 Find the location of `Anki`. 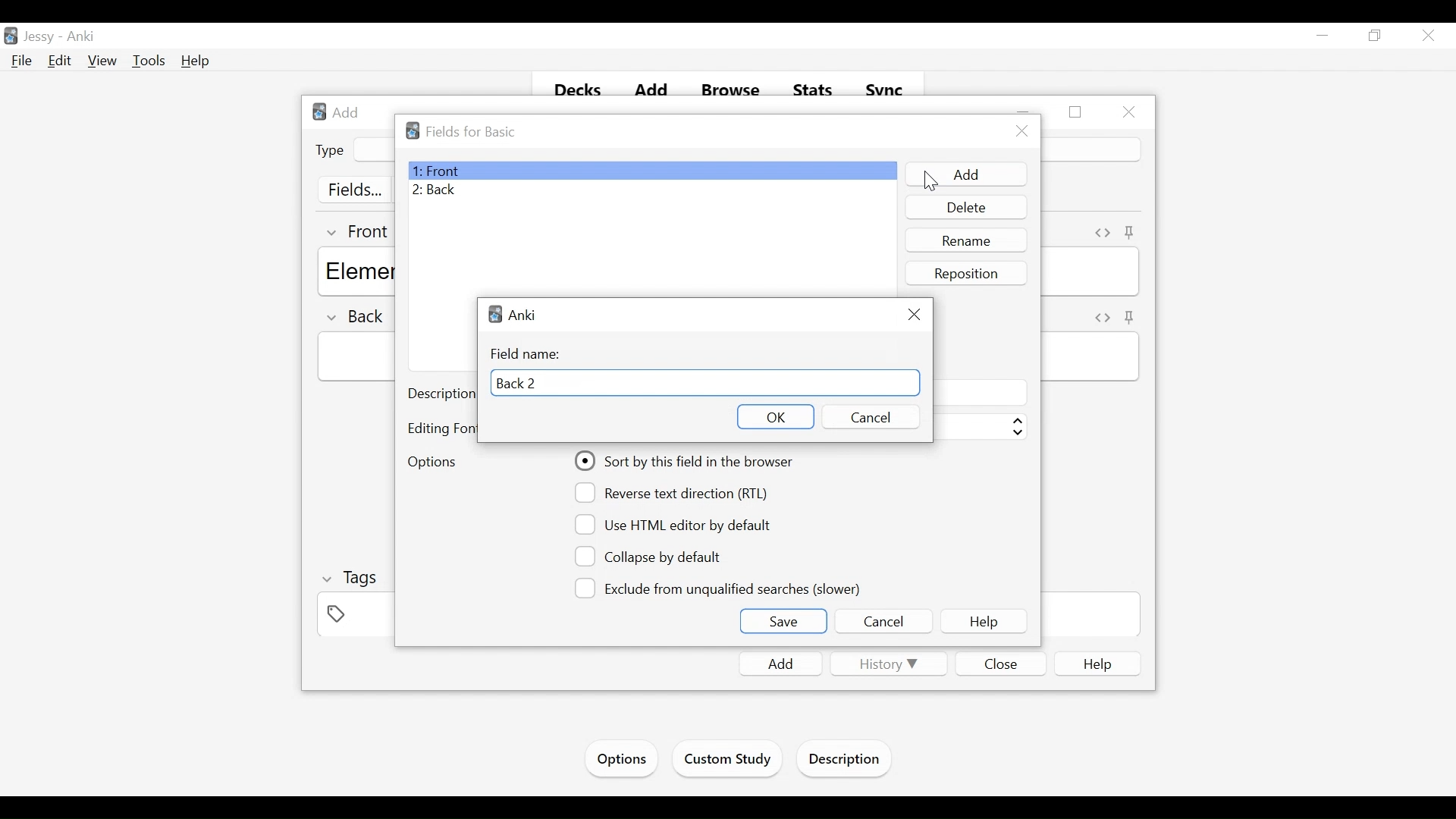

Anki is located at coordinates (81, 37).